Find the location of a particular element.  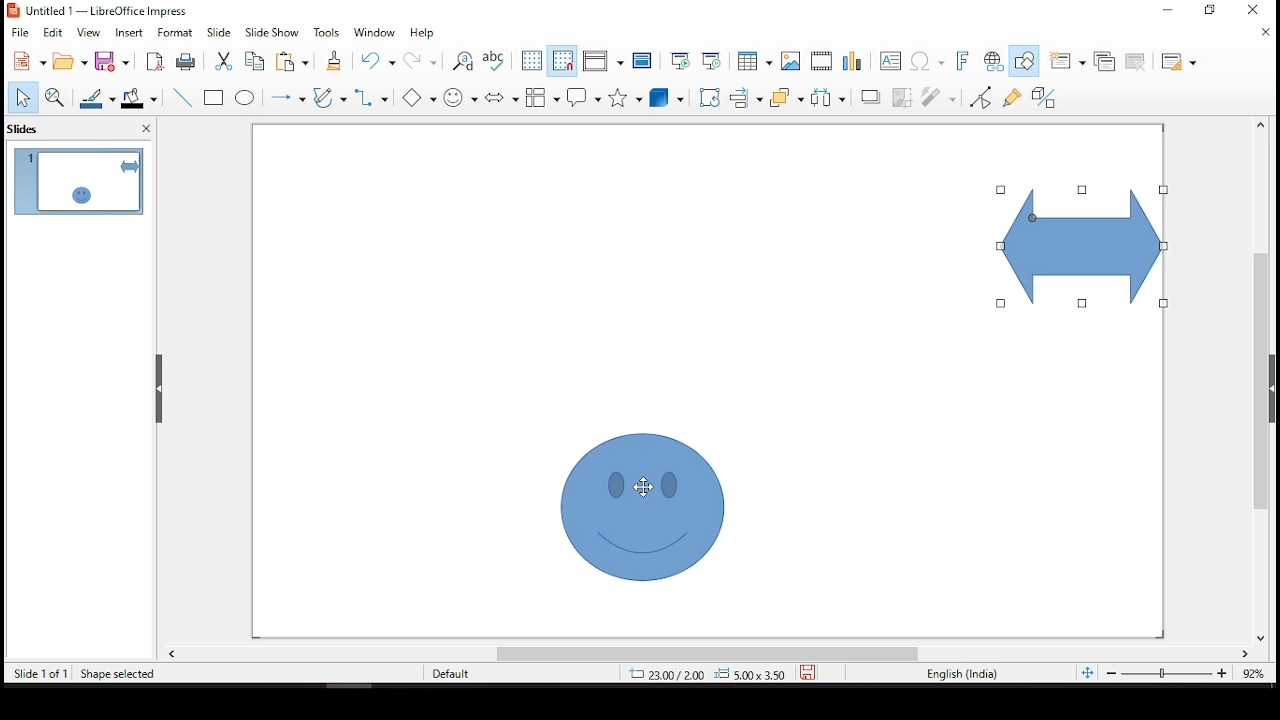

stars and banners is located at coordinates (623, 96).